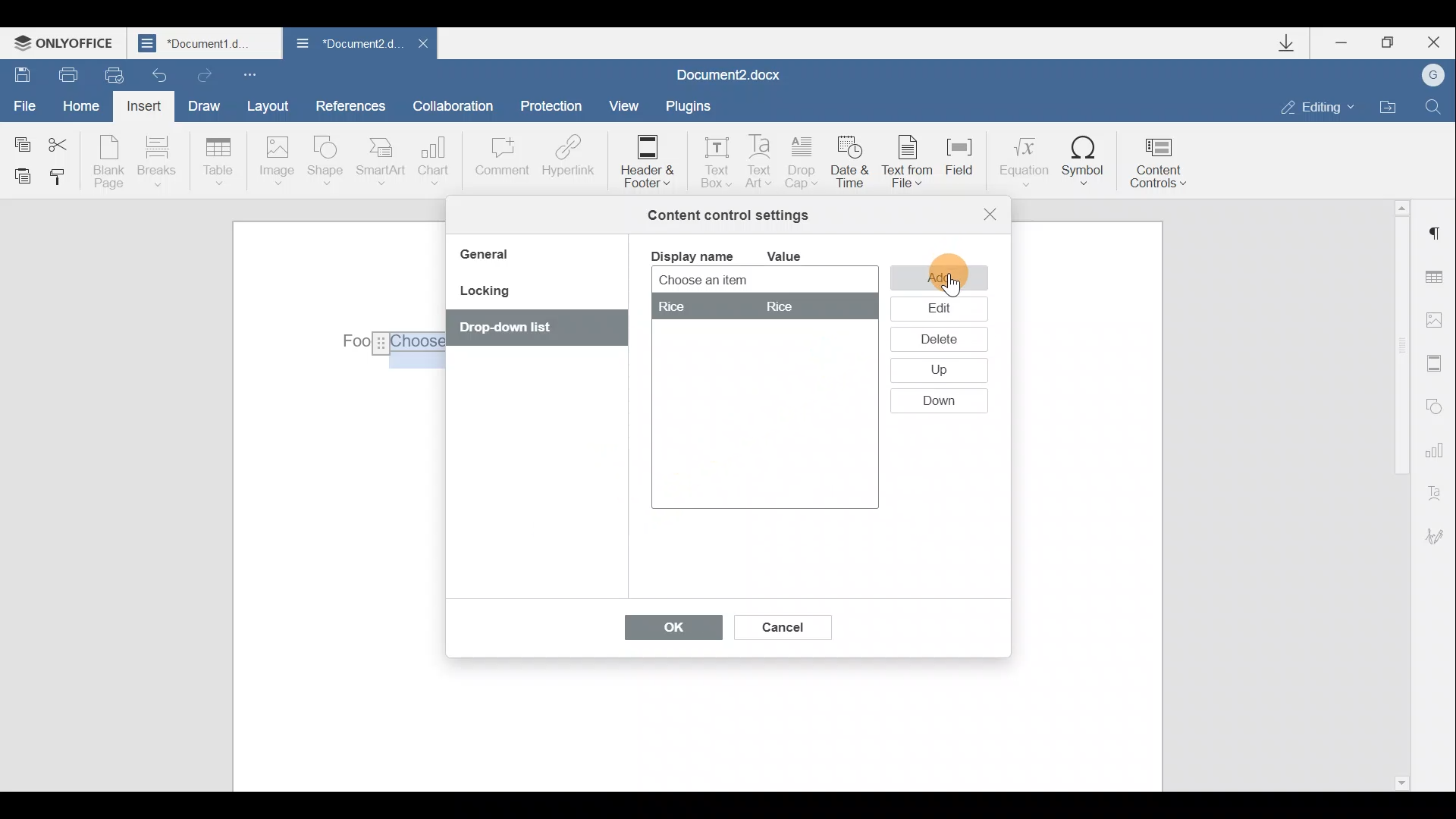 The image size is (1456, 819). What do you see at coordinates (728, 215) in the screenshot?
I see `Content control settings` at bounding box center [728, 215].